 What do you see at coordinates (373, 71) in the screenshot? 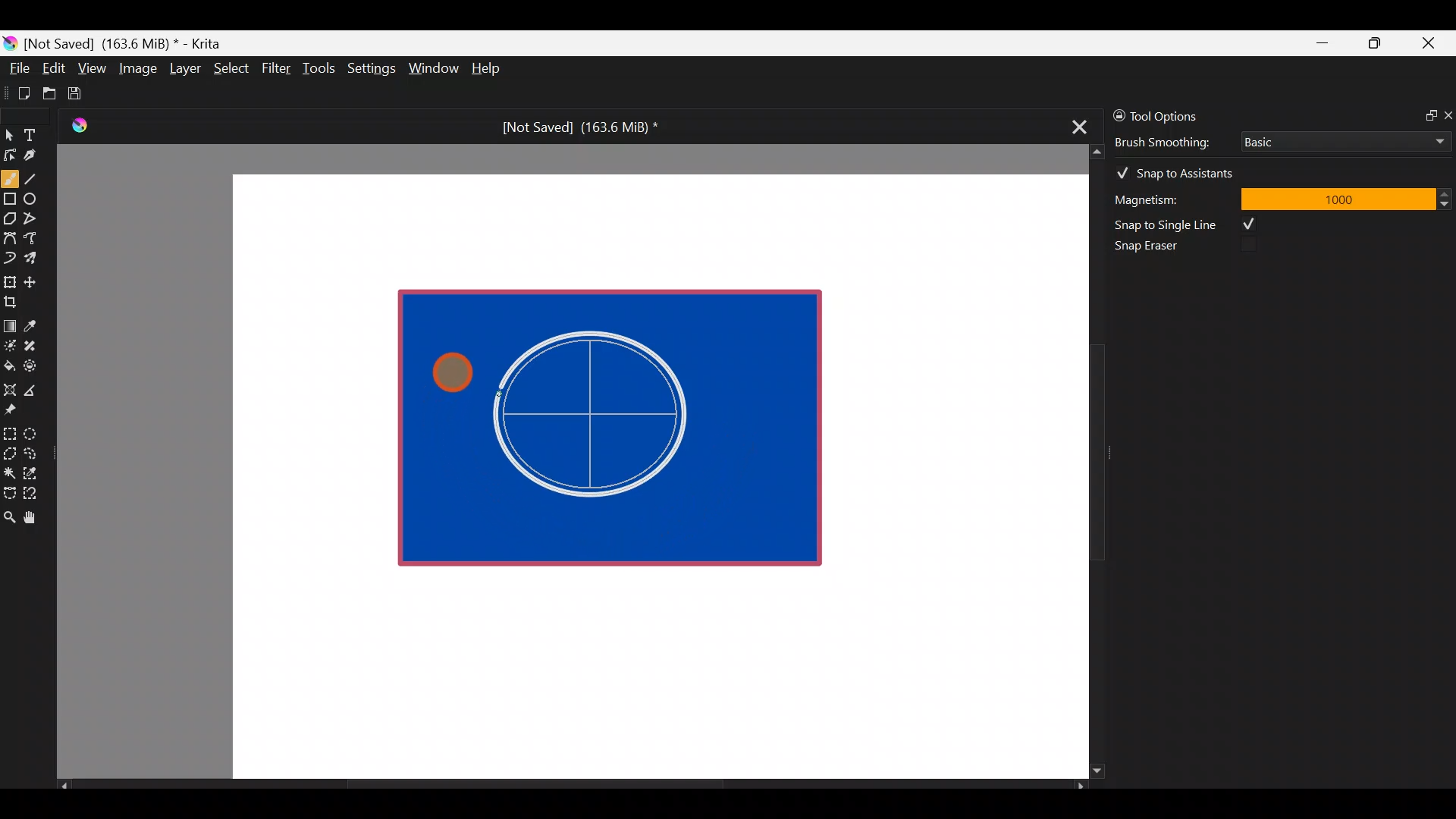
I see `Settings` at bounding box center [373, 71].